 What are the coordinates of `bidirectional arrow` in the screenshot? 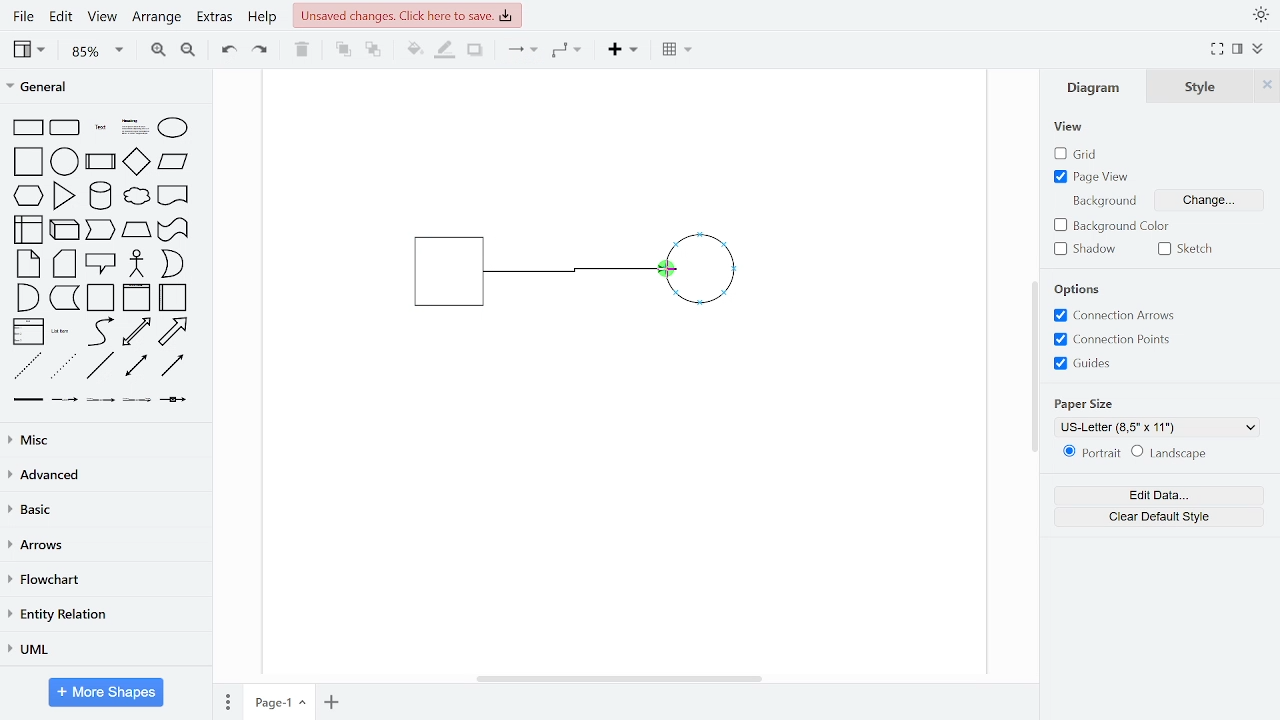 It's located at (136, 332).